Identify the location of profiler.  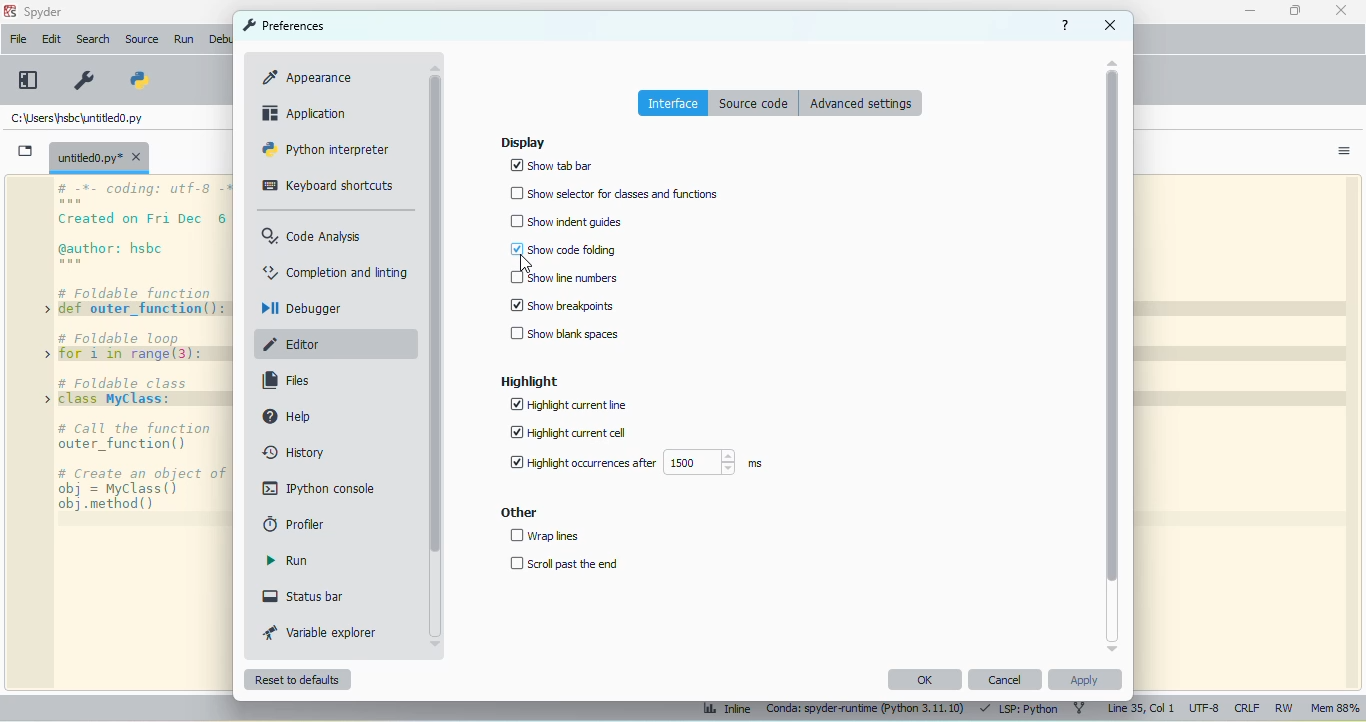
(293, 524).